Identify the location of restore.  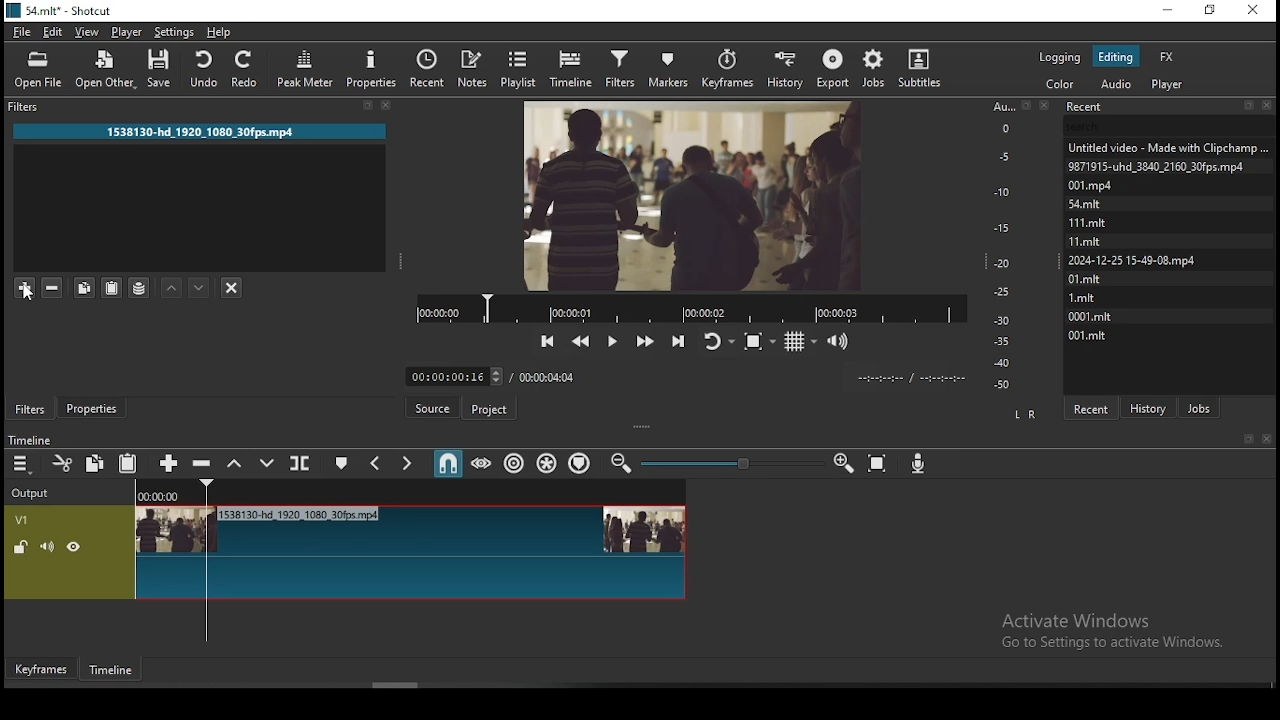
(1212, 13).